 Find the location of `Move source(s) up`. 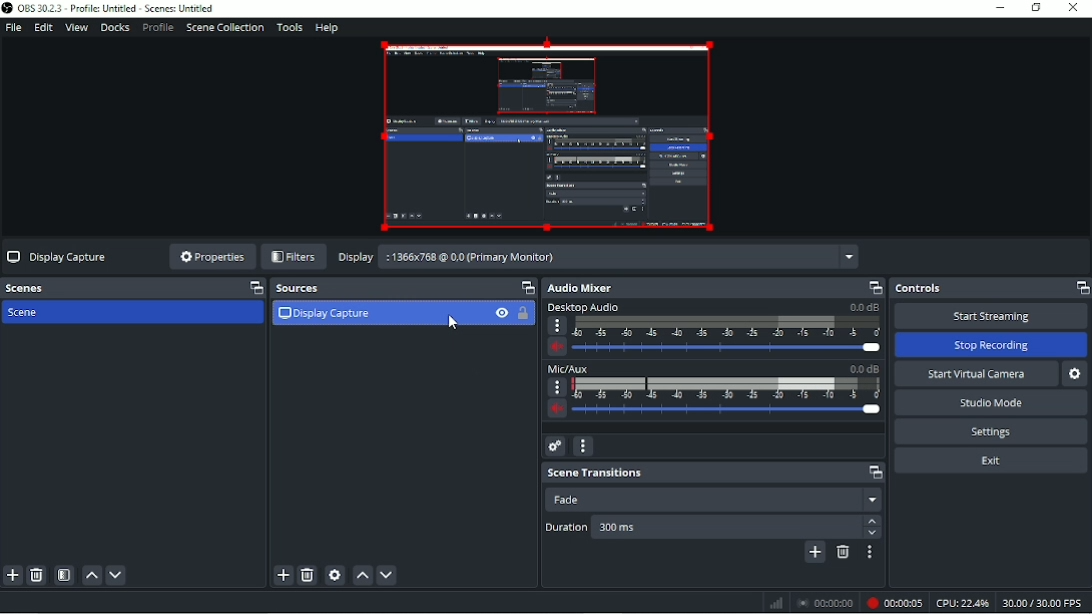

Move source(s) up is located at coordinates (362, 575).